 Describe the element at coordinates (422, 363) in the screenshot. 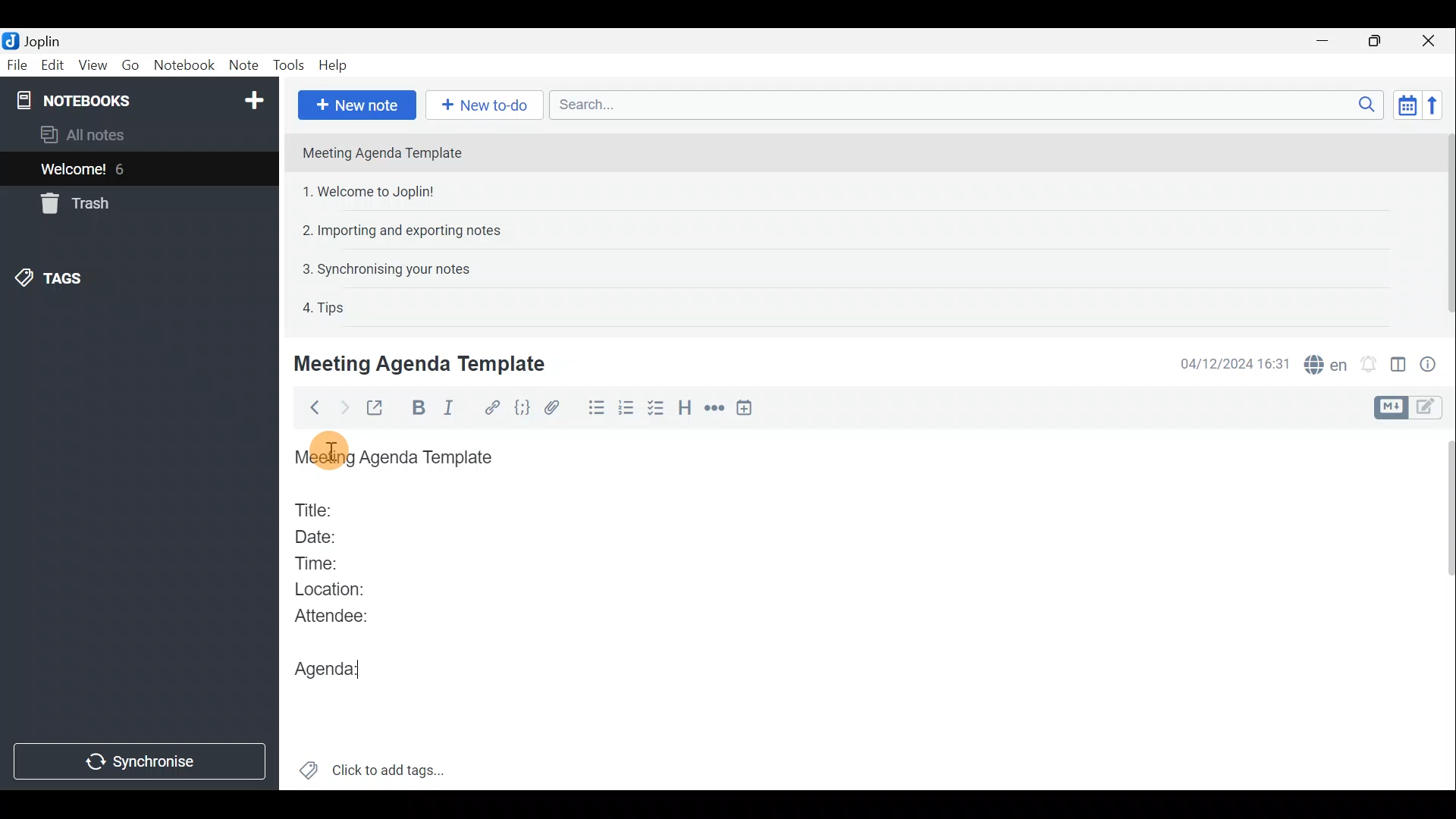

I see `Meeting Agenda Template` at that location.